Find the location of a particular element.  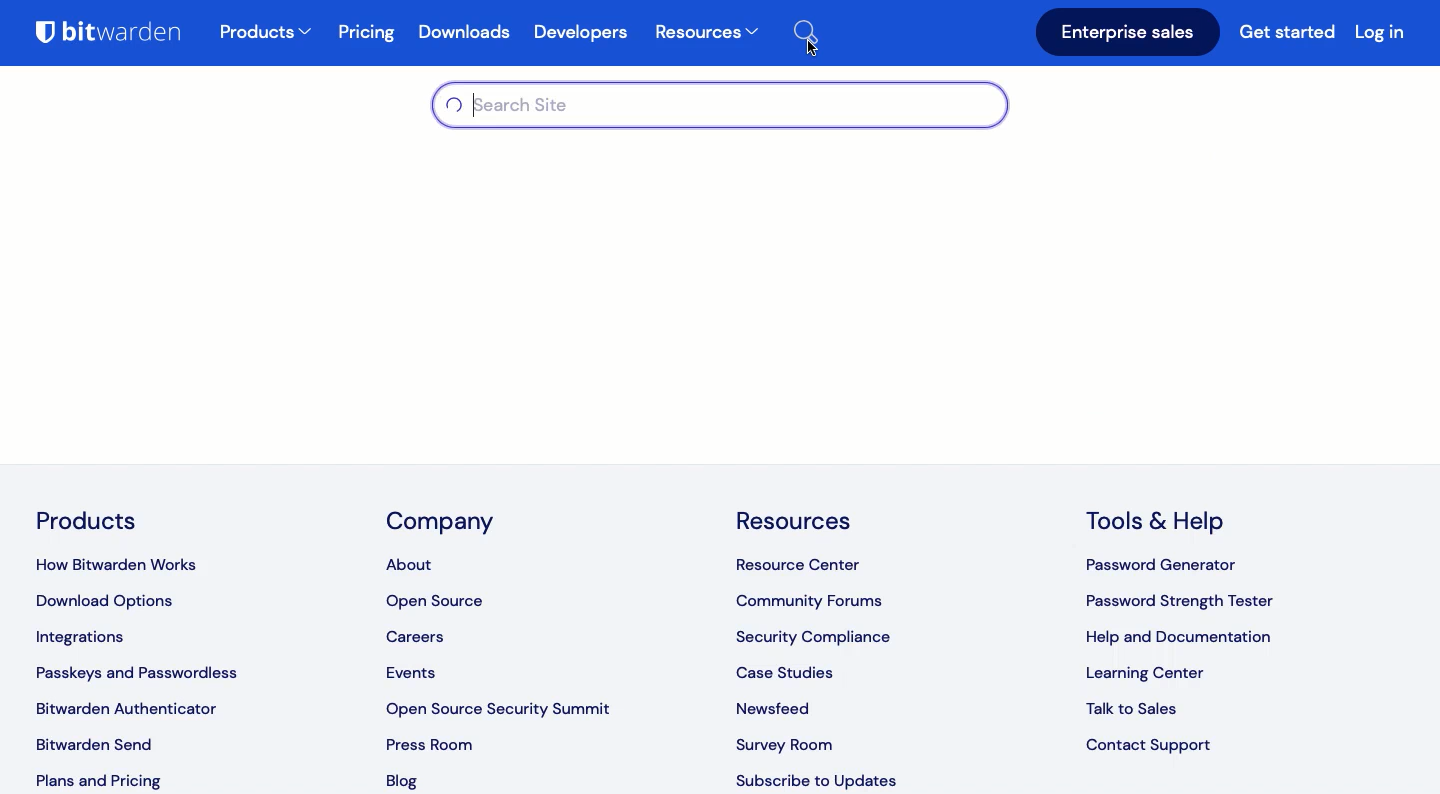

Downloads is located at coordinates (469, 35).